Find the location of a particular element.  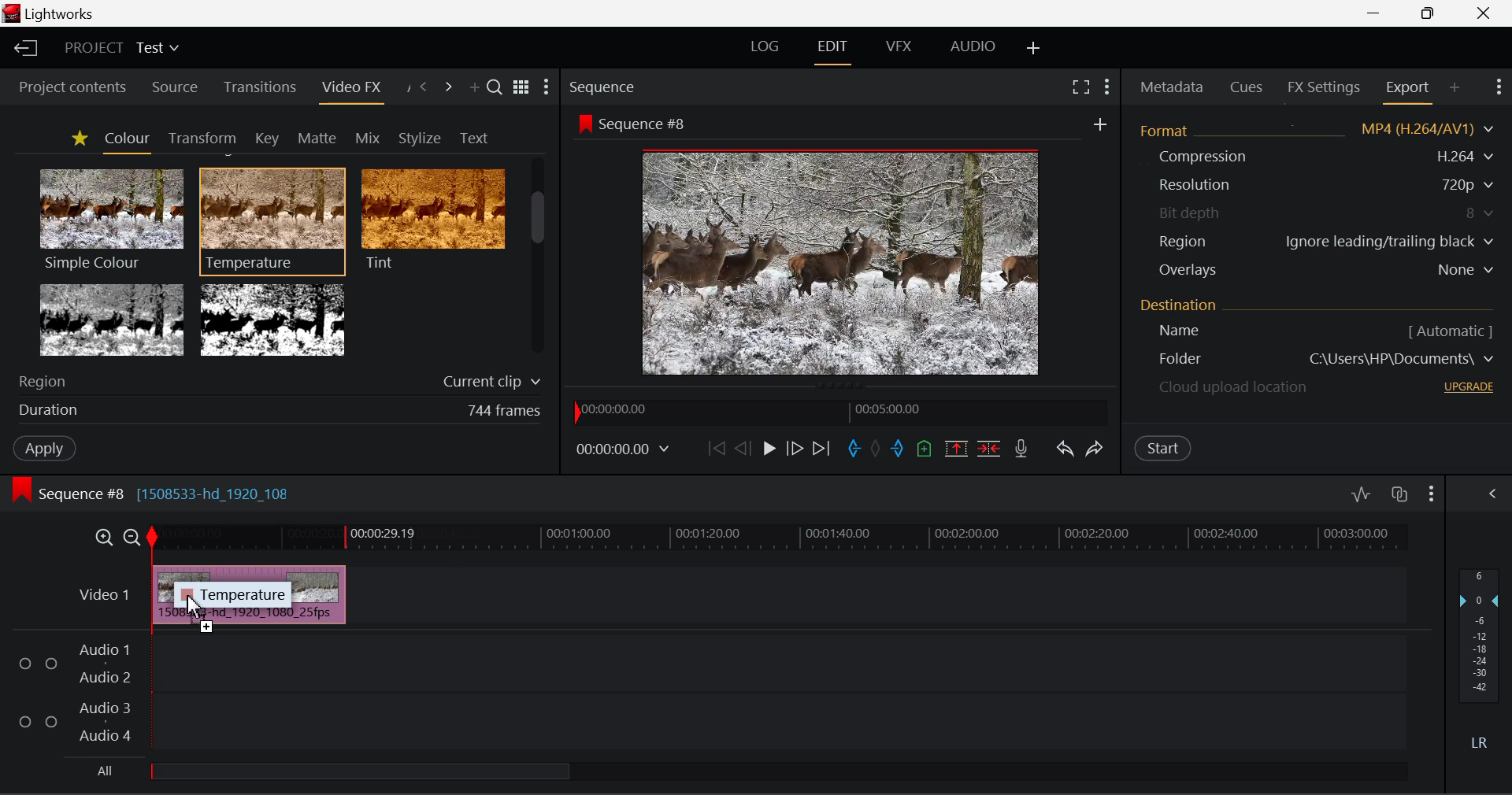

00:05:00.00 is located at coordinates (891, 409).